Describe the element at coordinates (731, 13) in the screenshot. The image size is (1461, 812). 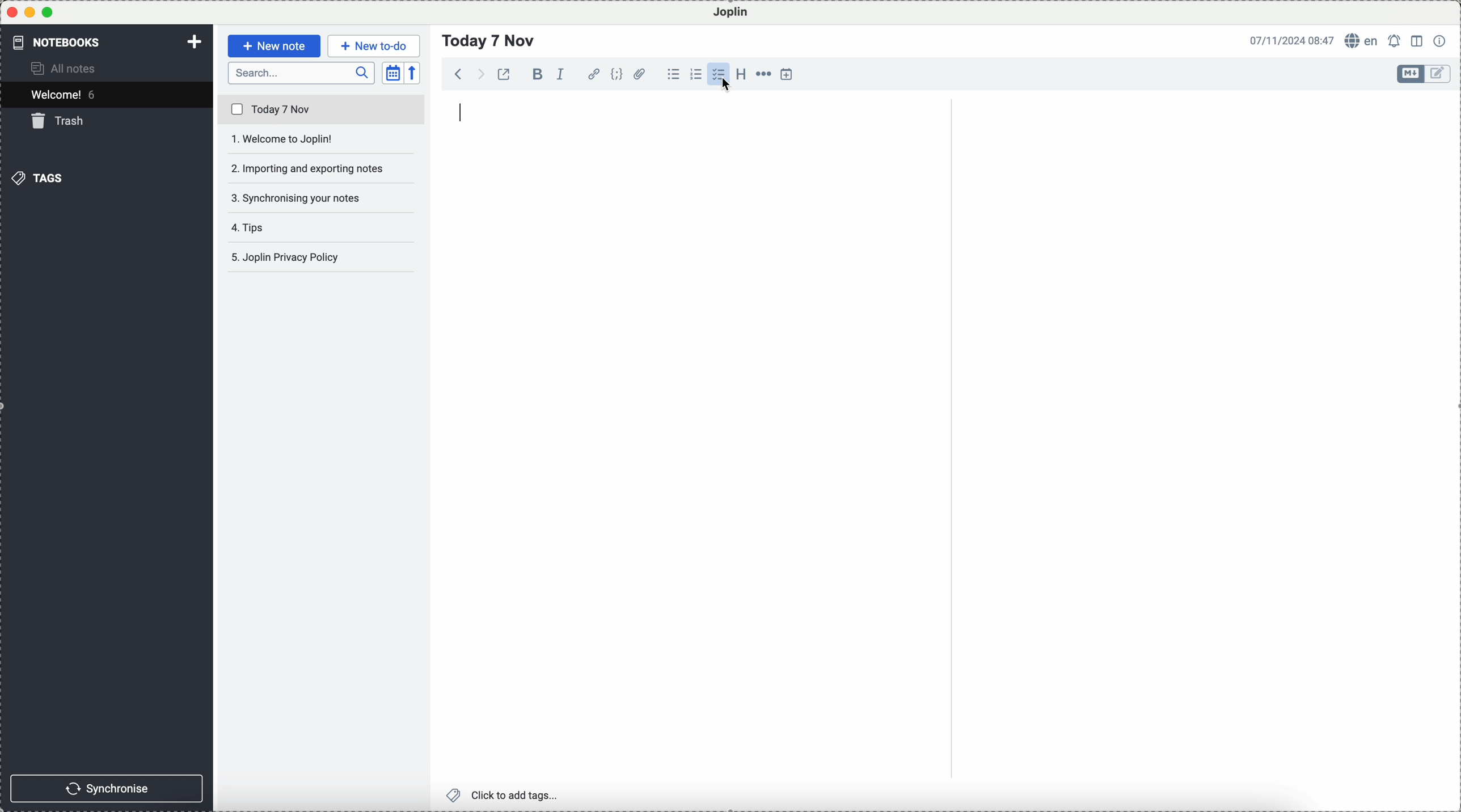
I see `Joplin` at that location.